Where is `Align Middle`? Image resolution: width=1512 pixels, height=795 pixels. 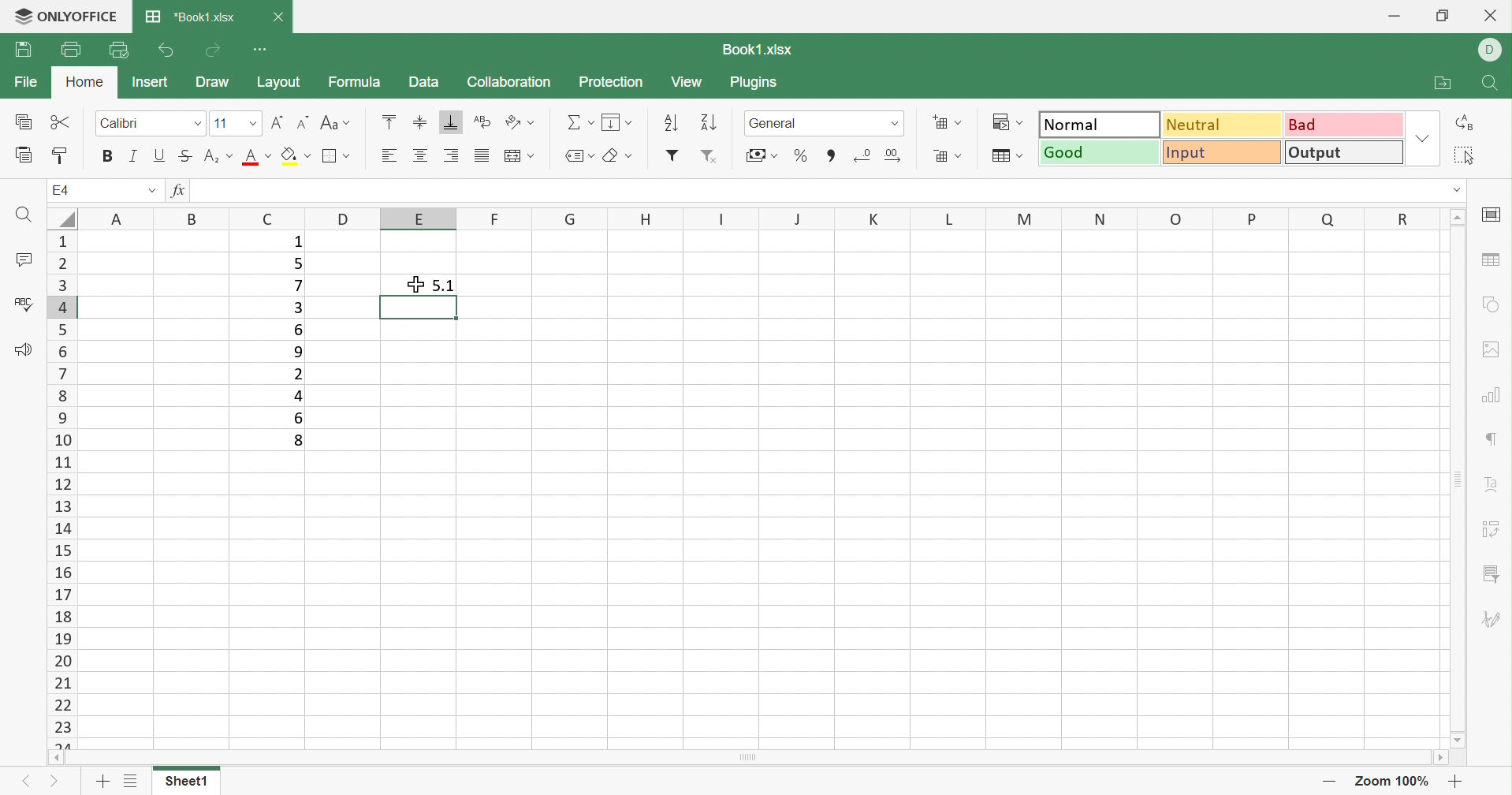 Align Middle is located at coordinates (420, 122).